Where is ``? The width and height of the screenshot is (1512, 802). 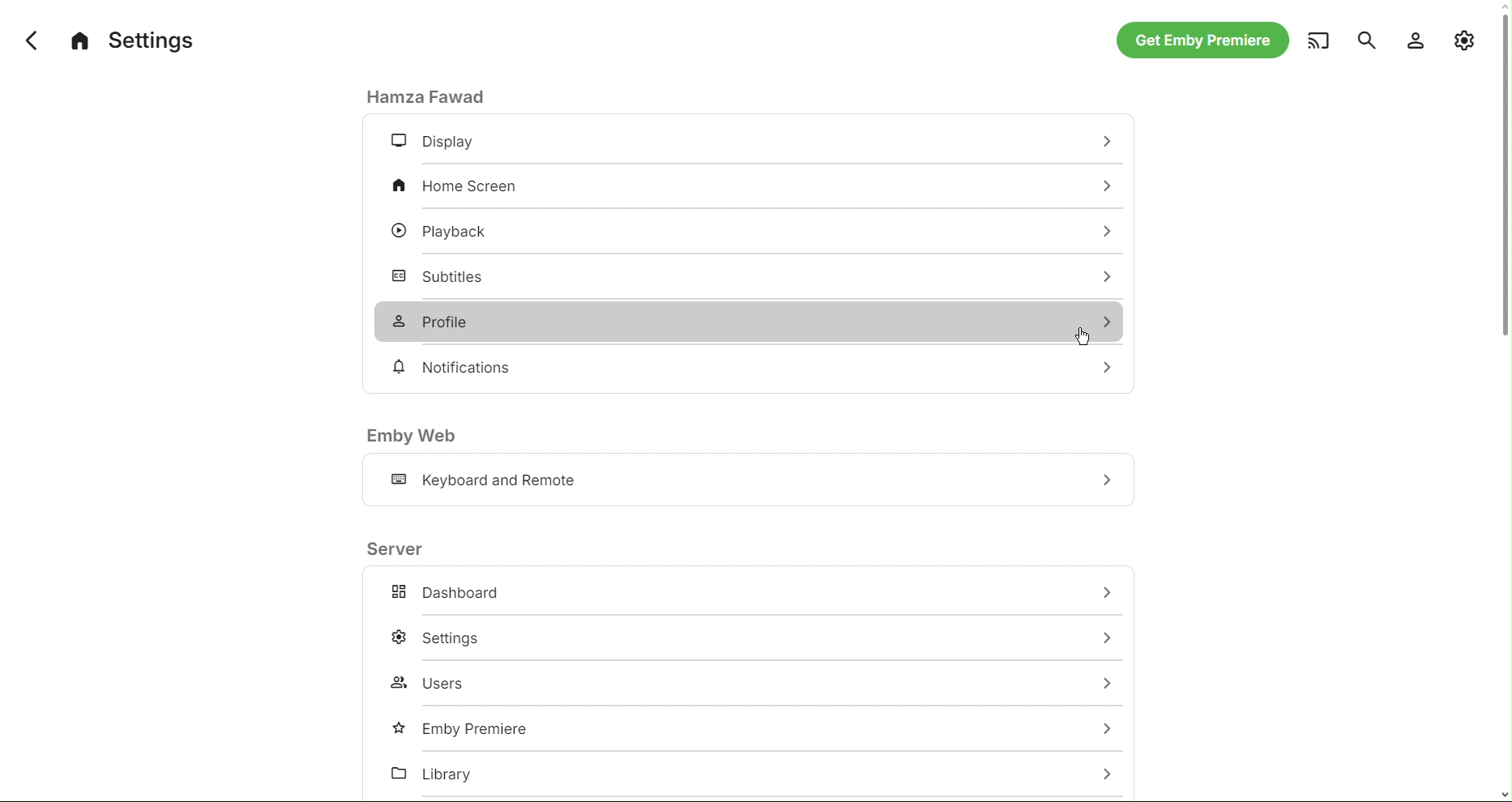  is located at coordinates (1105, 636).